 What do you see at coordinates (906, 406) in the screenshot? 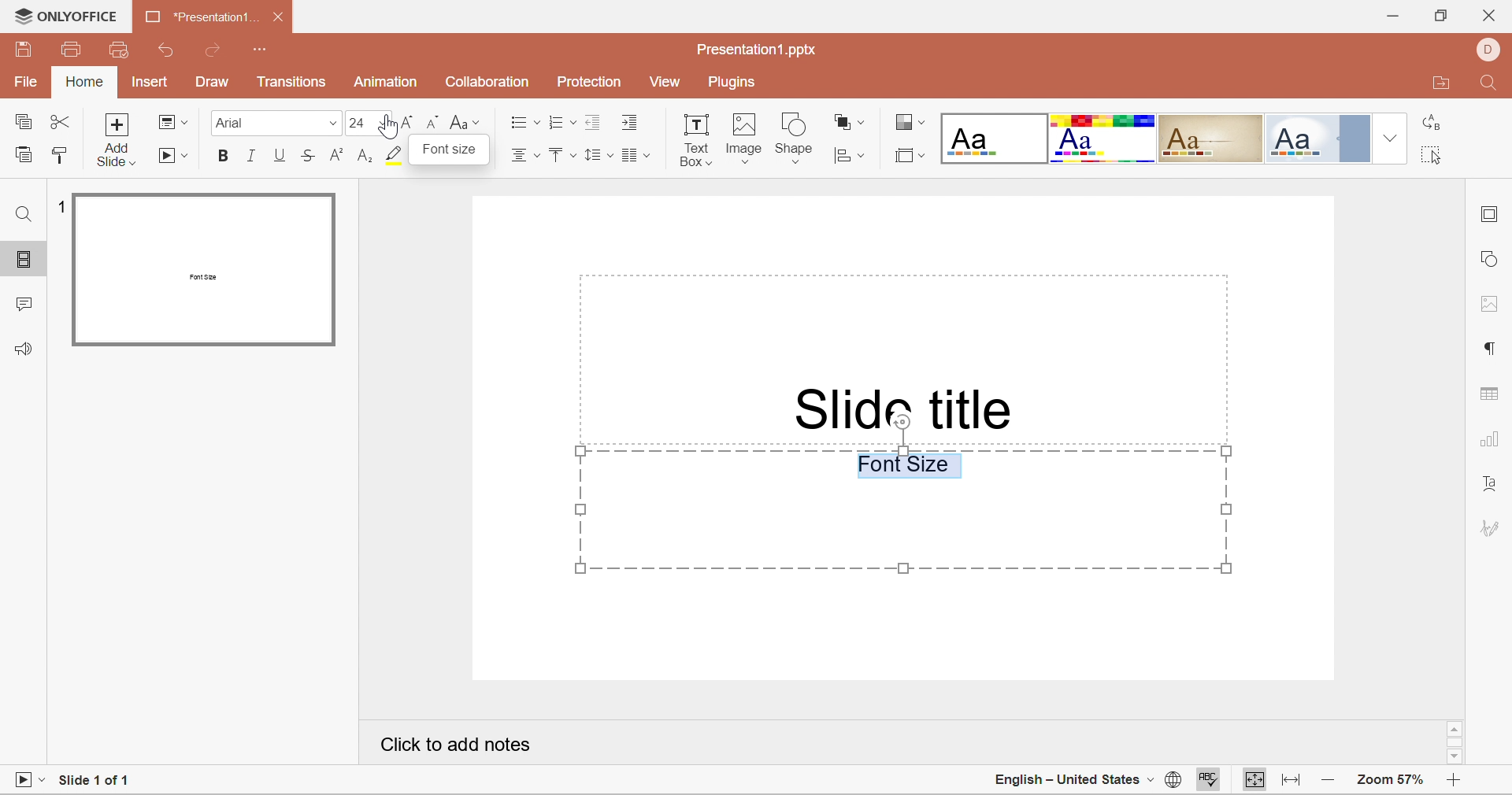
I see `Slide title` at bounding box center [906, 406].